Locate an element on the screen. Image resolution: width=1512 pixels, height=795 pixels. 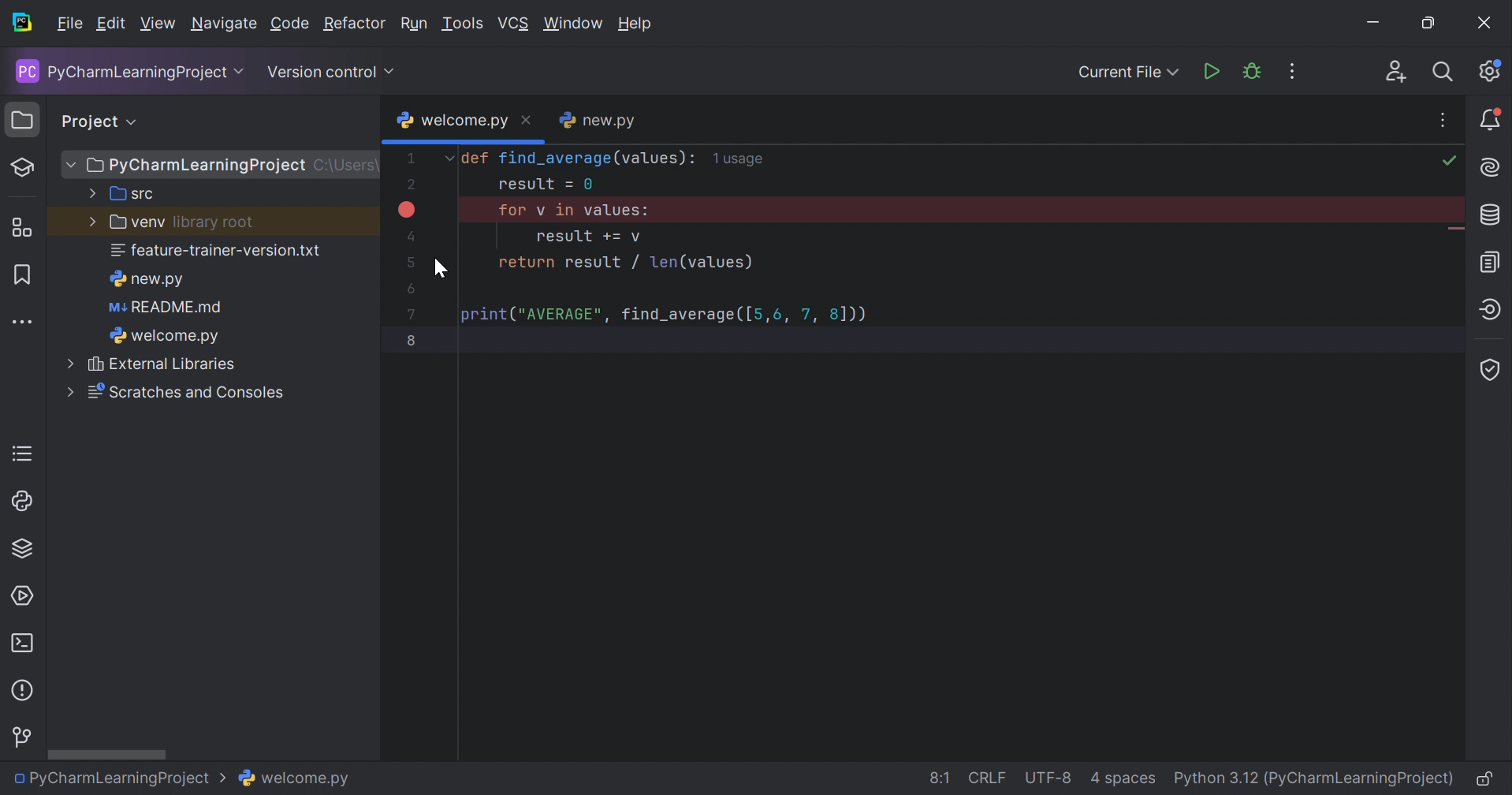
Recent Files, Tab Actions and More is located at coordinates (1444, 121).